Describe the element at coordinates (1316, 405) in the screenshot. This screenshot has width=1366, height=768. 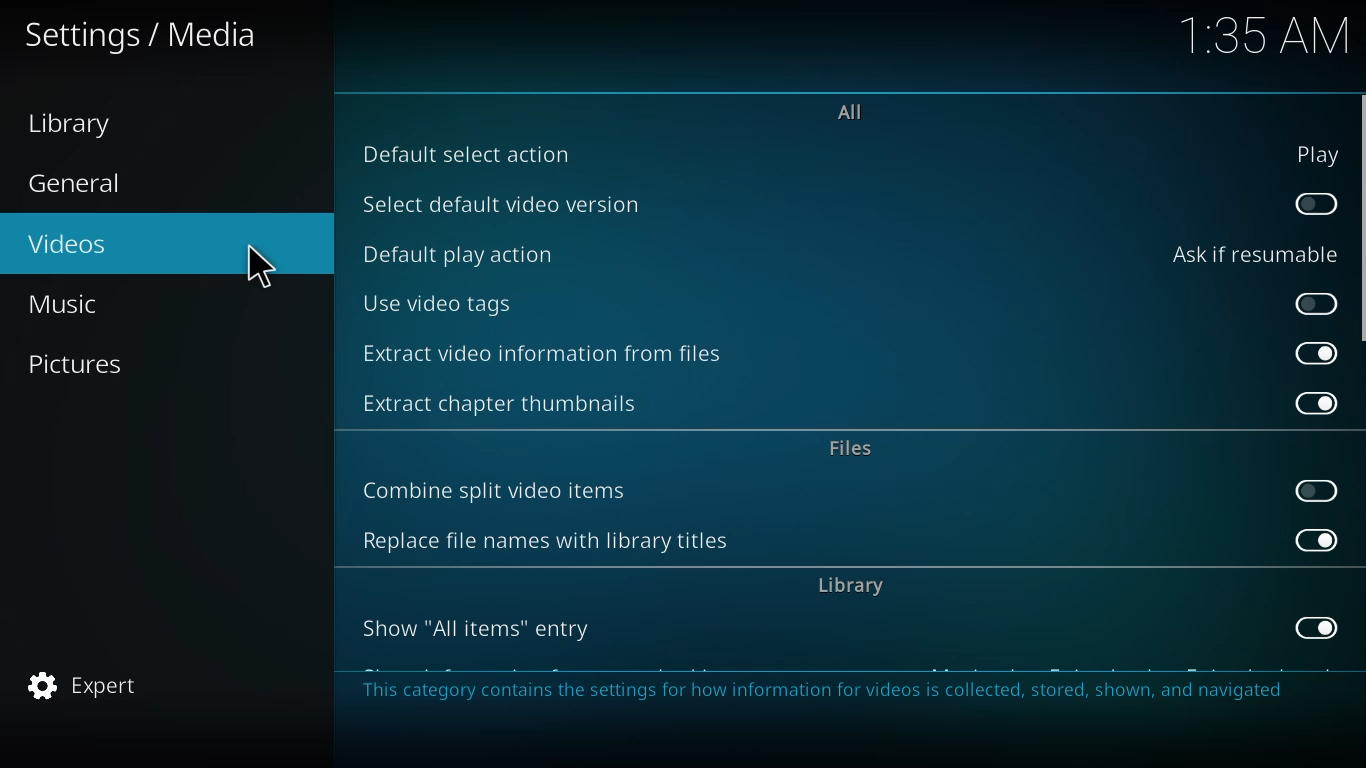
I see `enabled` at that location.